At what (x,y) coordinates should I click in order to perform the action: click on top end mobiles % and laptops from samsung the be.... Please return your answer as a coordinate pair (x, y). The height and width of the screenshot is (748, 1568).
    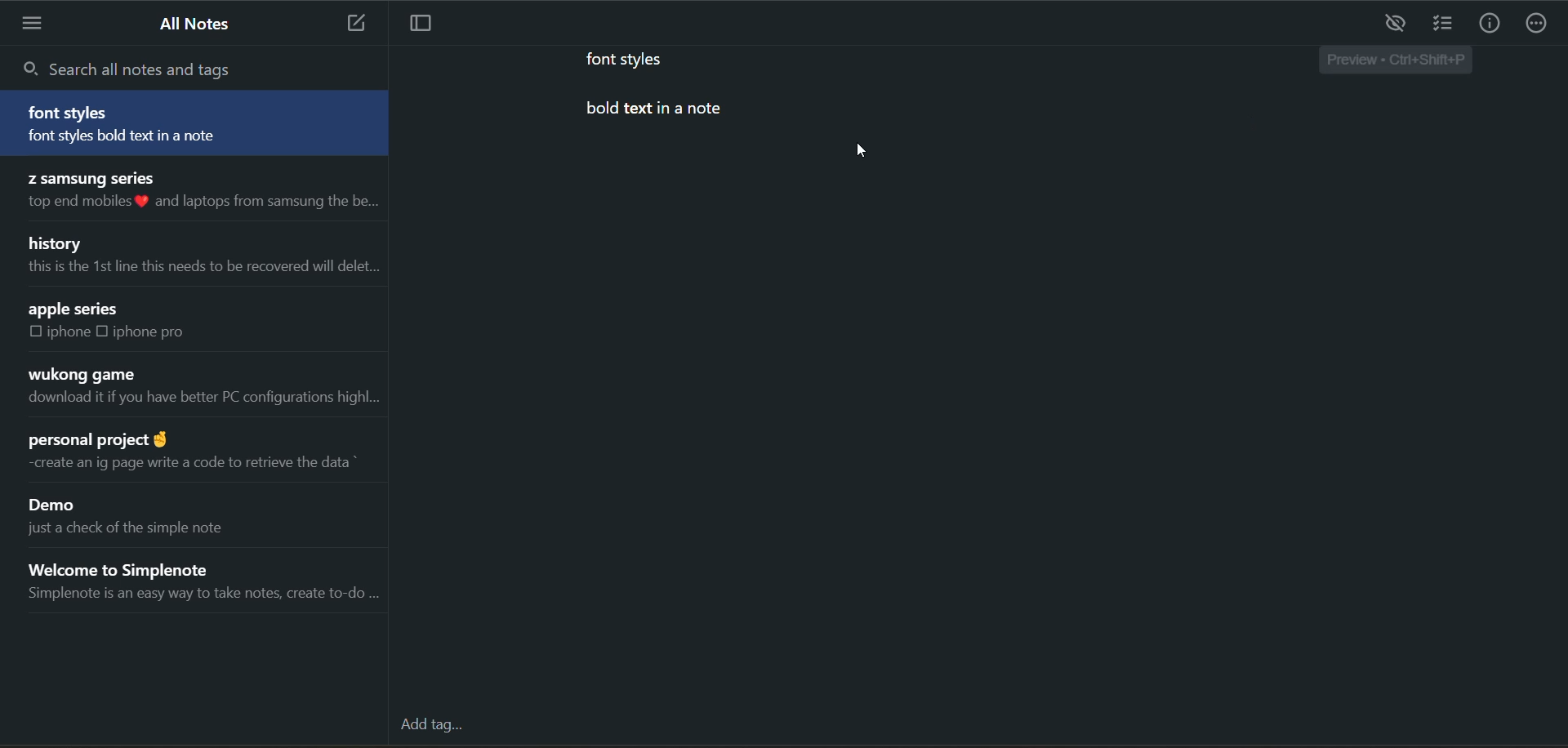
    Looking at the image, I should click on (198, 203).